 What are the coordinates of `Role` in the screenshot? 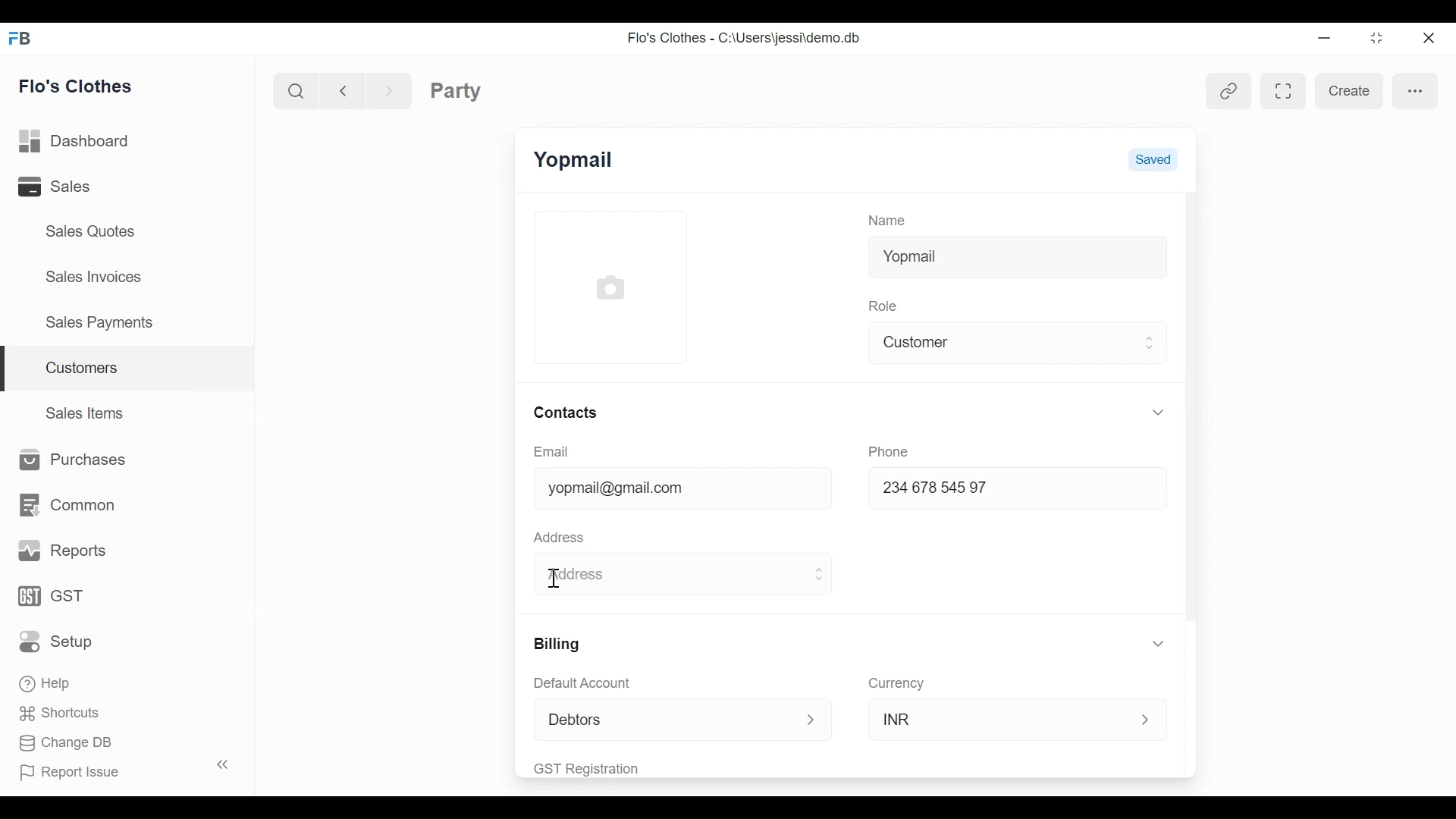 It's located at (885, 306).